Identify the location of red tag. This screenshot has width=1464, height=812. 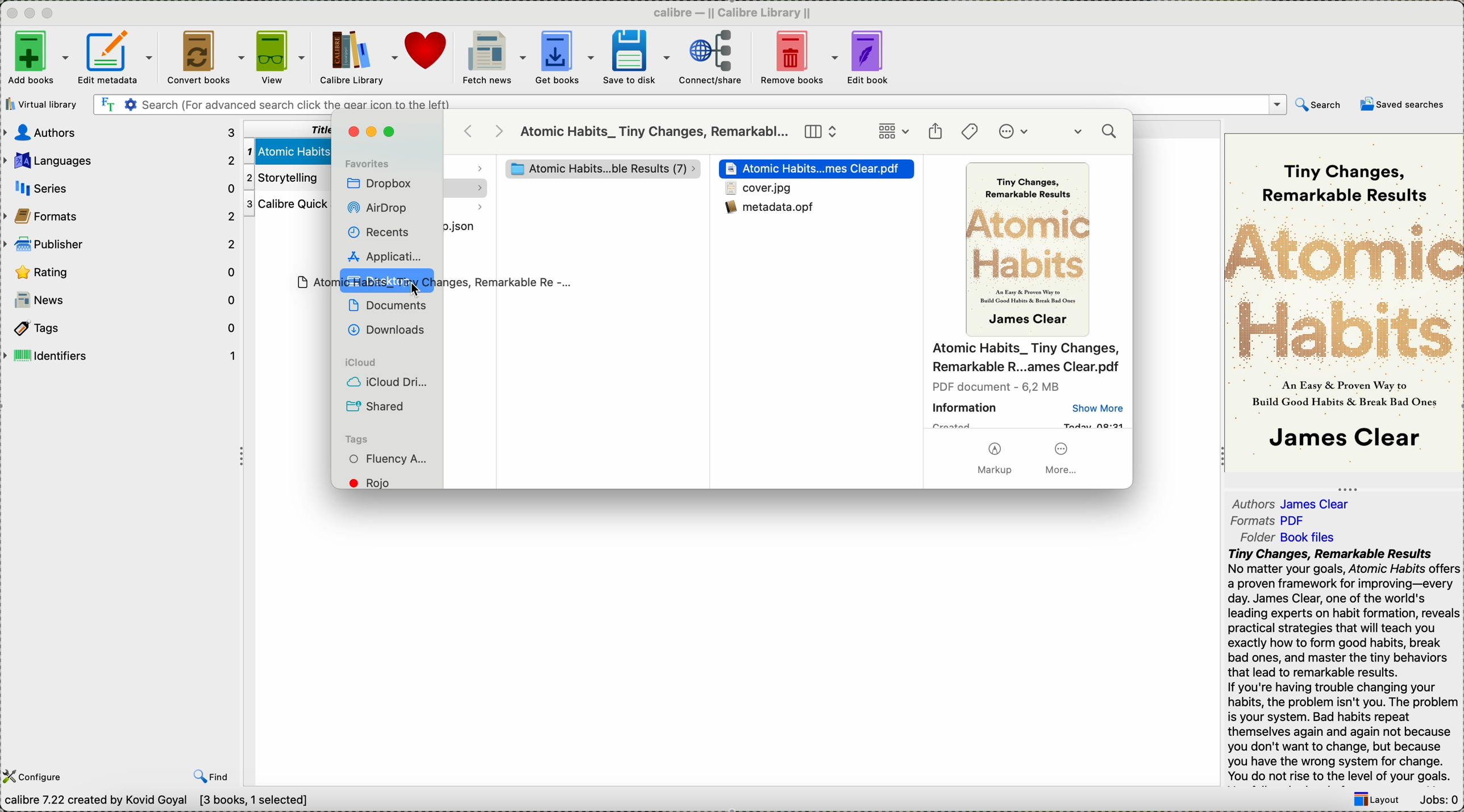
(377, 482).